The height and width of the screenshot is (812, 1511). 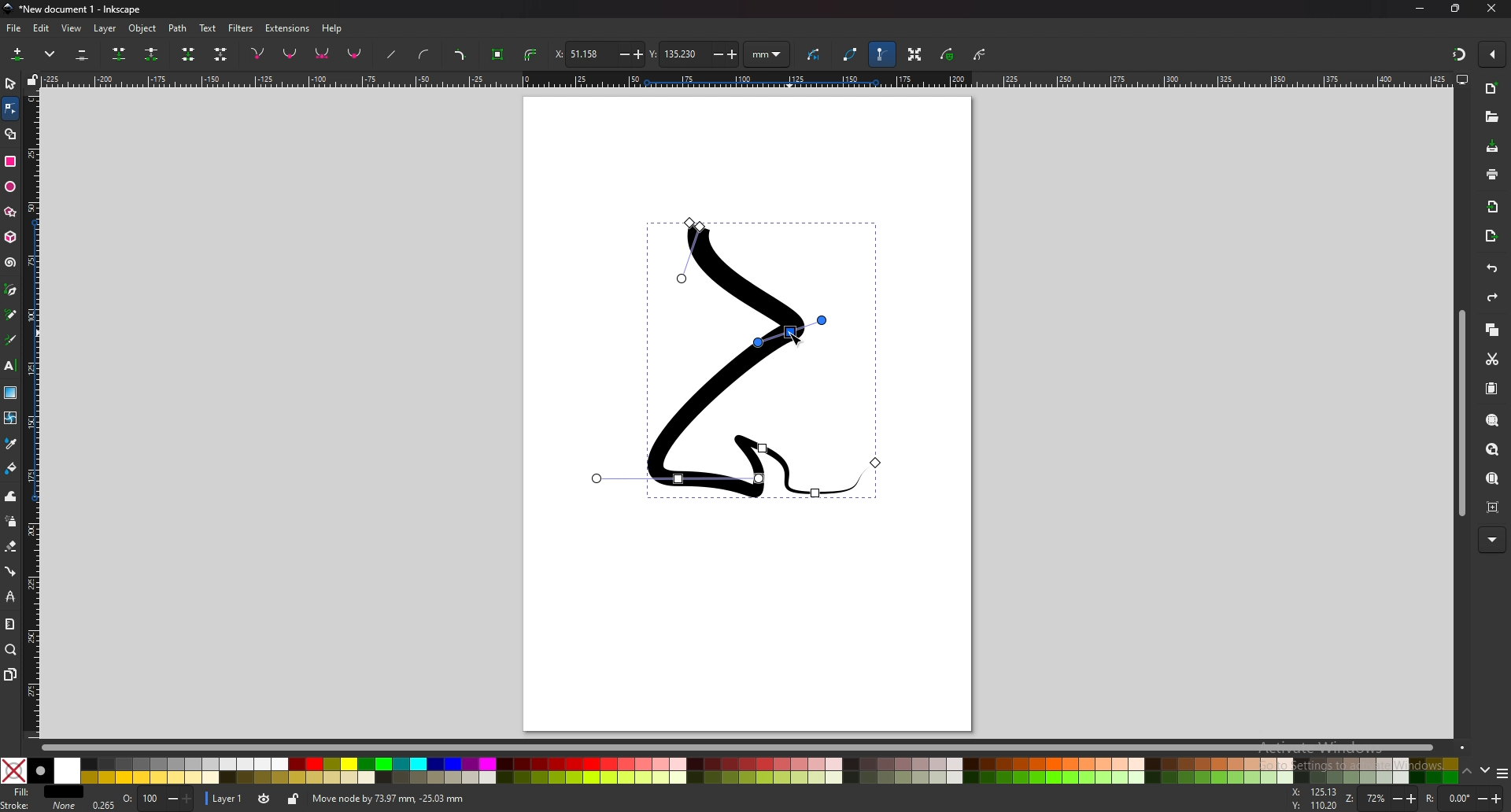 What do you see at coordinates (12, 186) in the screenshot?
I see `ellipse` at bounding box center [12, 186].